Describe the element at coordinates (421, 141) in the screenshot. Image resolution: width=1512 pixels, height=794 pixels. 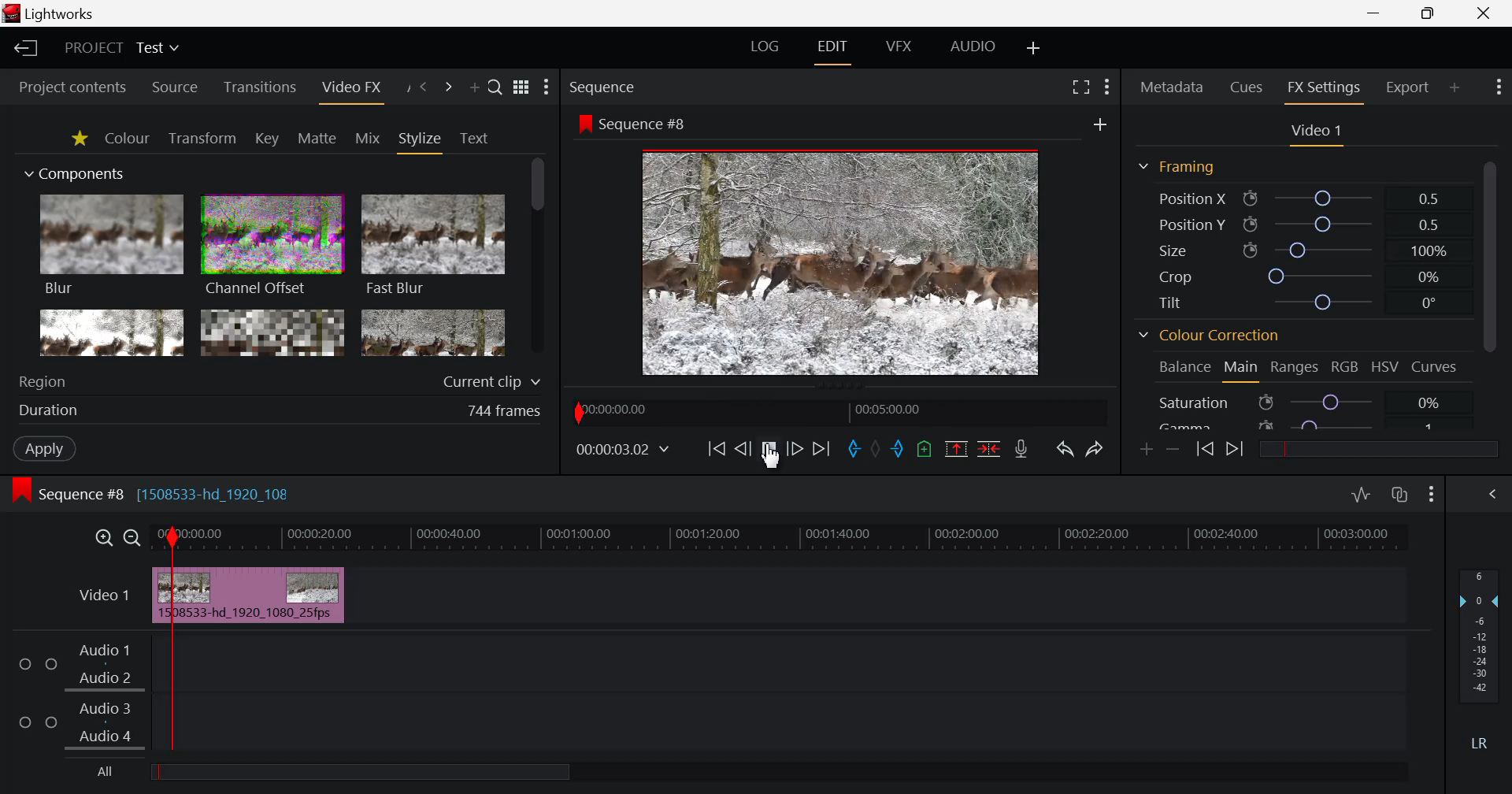
I see `Stylize` at that location.